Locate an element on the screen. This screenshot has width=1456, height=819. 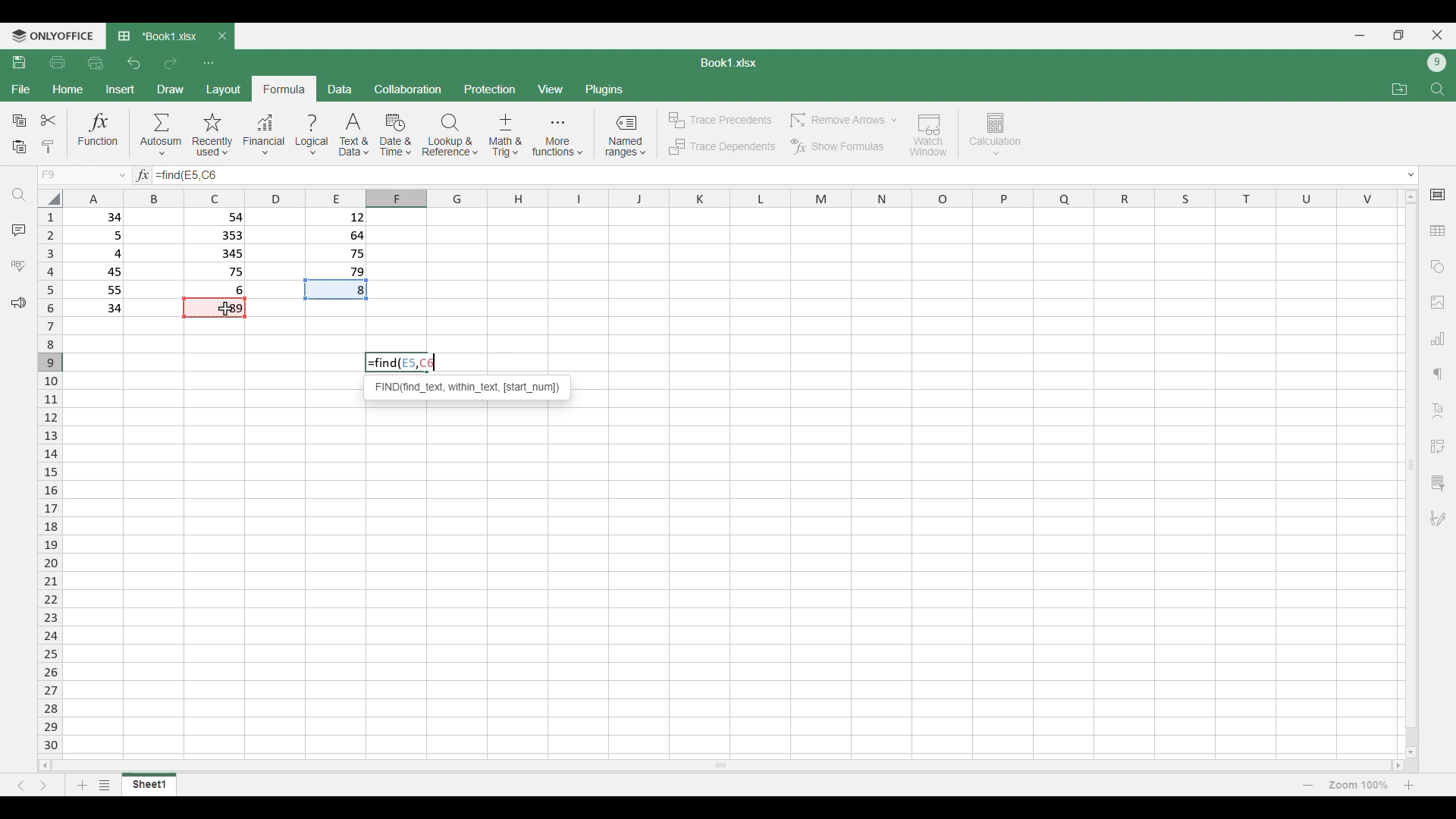
Find is located at coordinates (1437, 89).